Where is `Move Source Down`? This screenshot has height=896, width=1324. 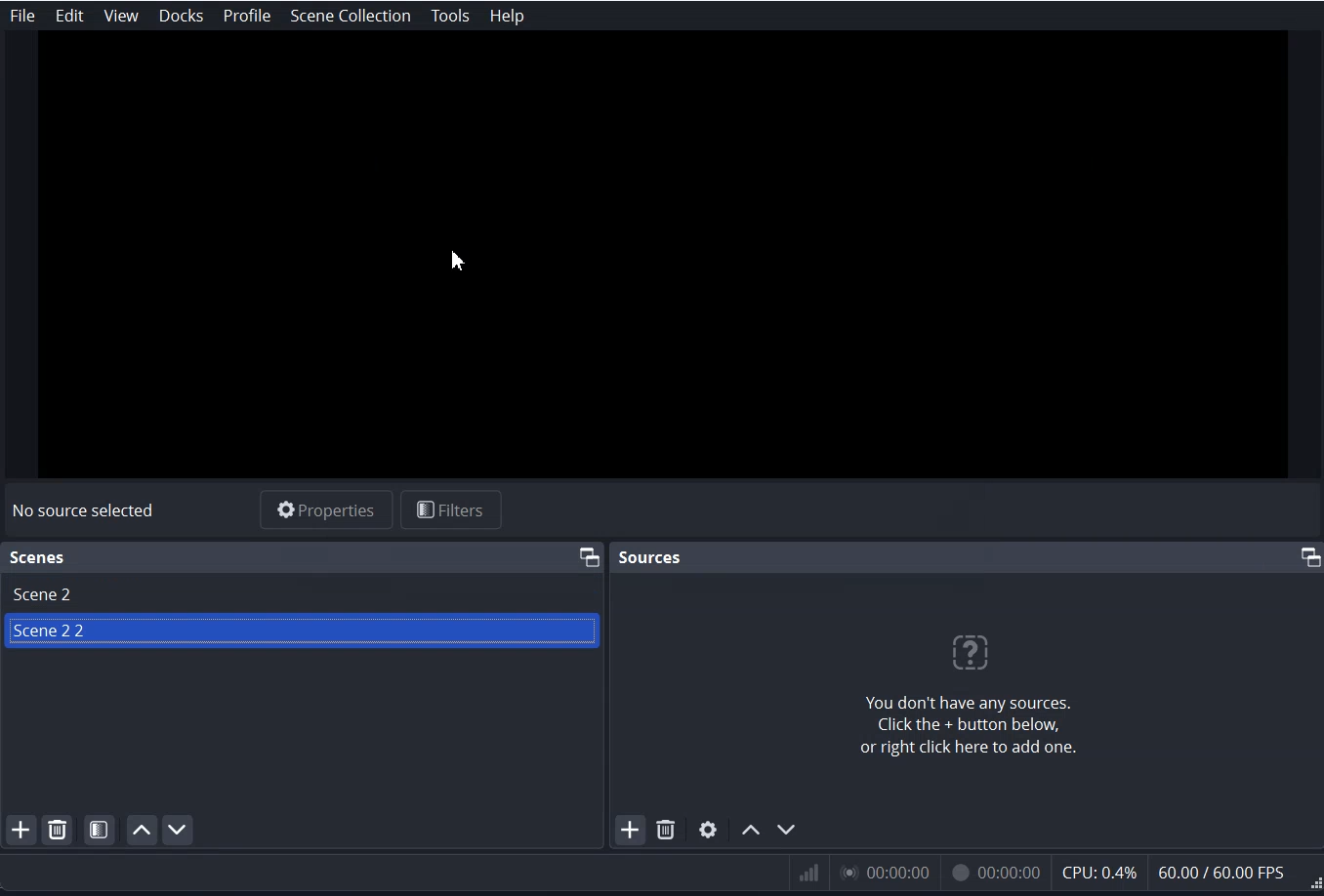 Move Source Down is located at coordinates (787, 830).